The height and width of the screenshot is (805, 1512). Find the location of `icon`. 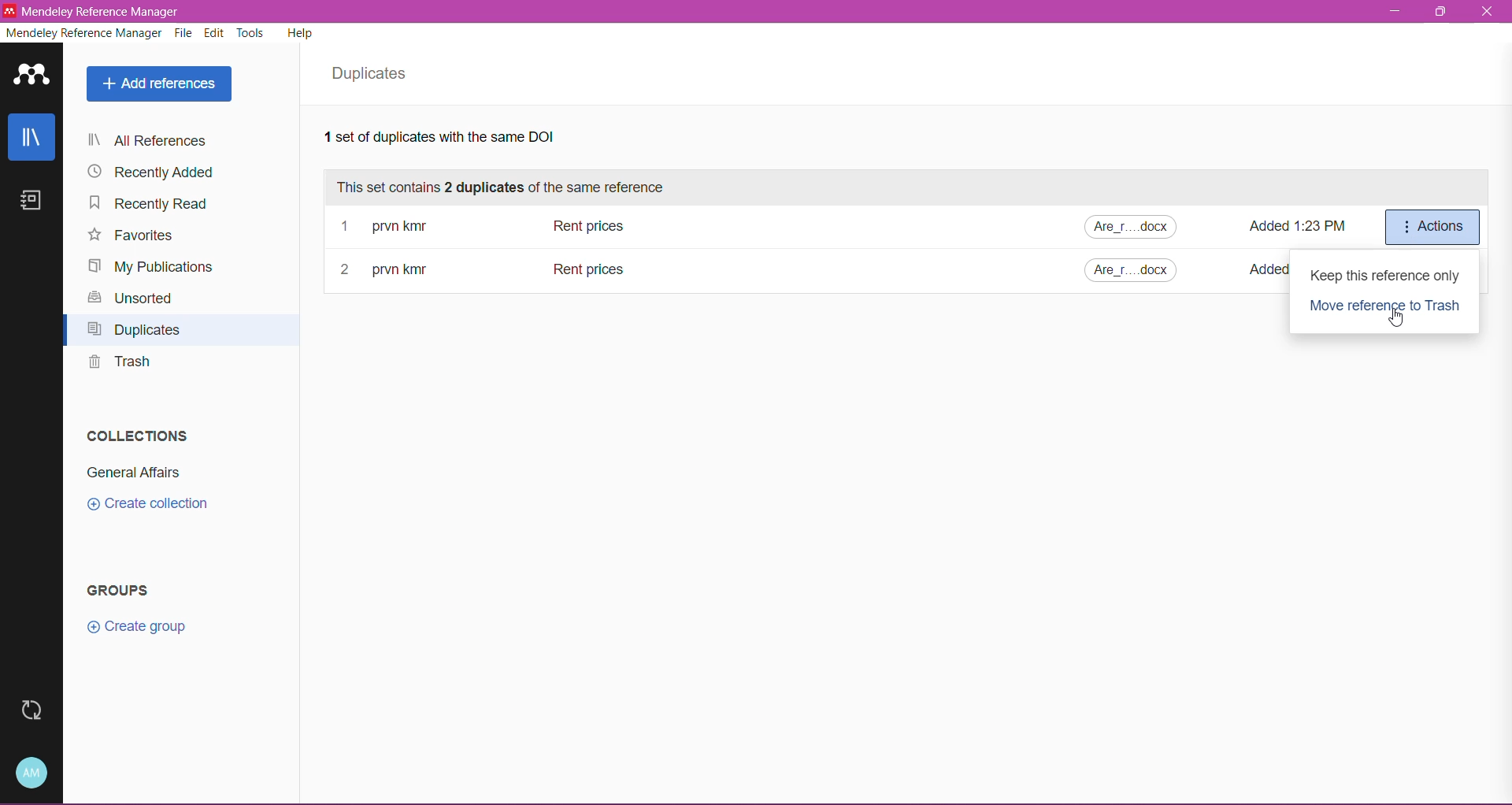

icon is located at coordinates (9, 10).